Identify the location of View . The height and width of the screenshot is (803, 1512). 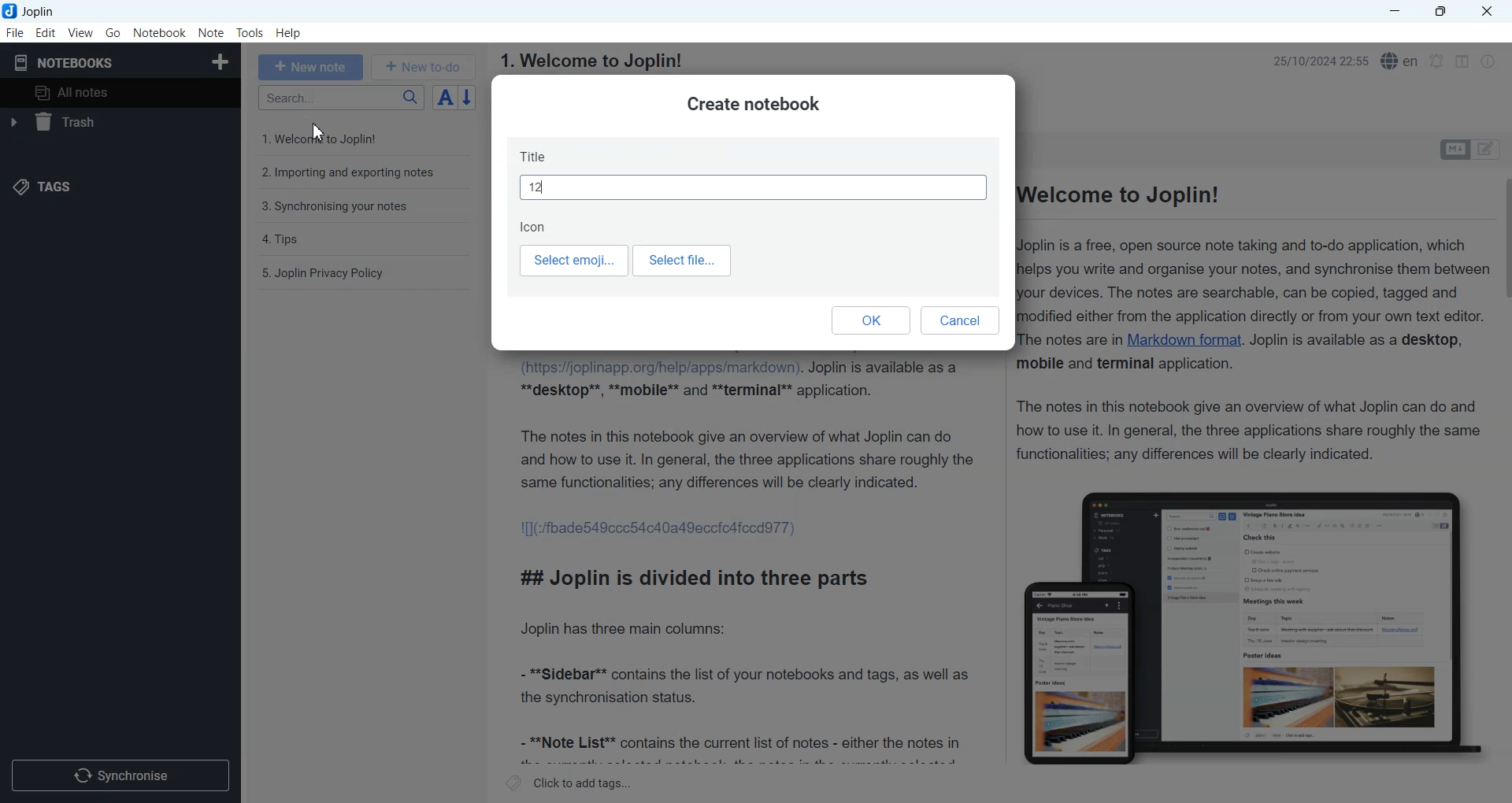
(80, 32).